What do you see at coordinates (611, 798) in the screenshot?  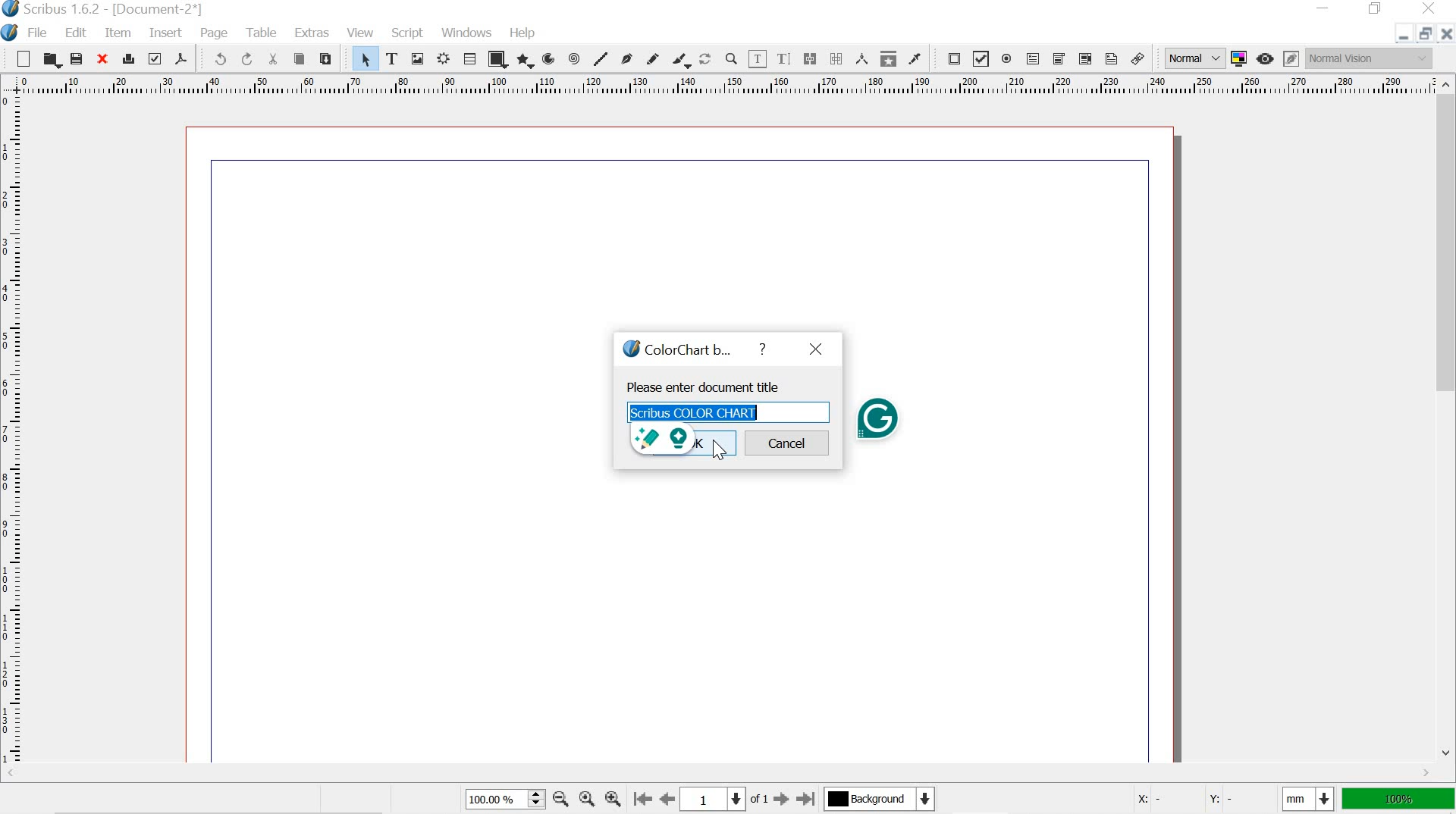 I see `zoom in` at bounding box center [611, 798].